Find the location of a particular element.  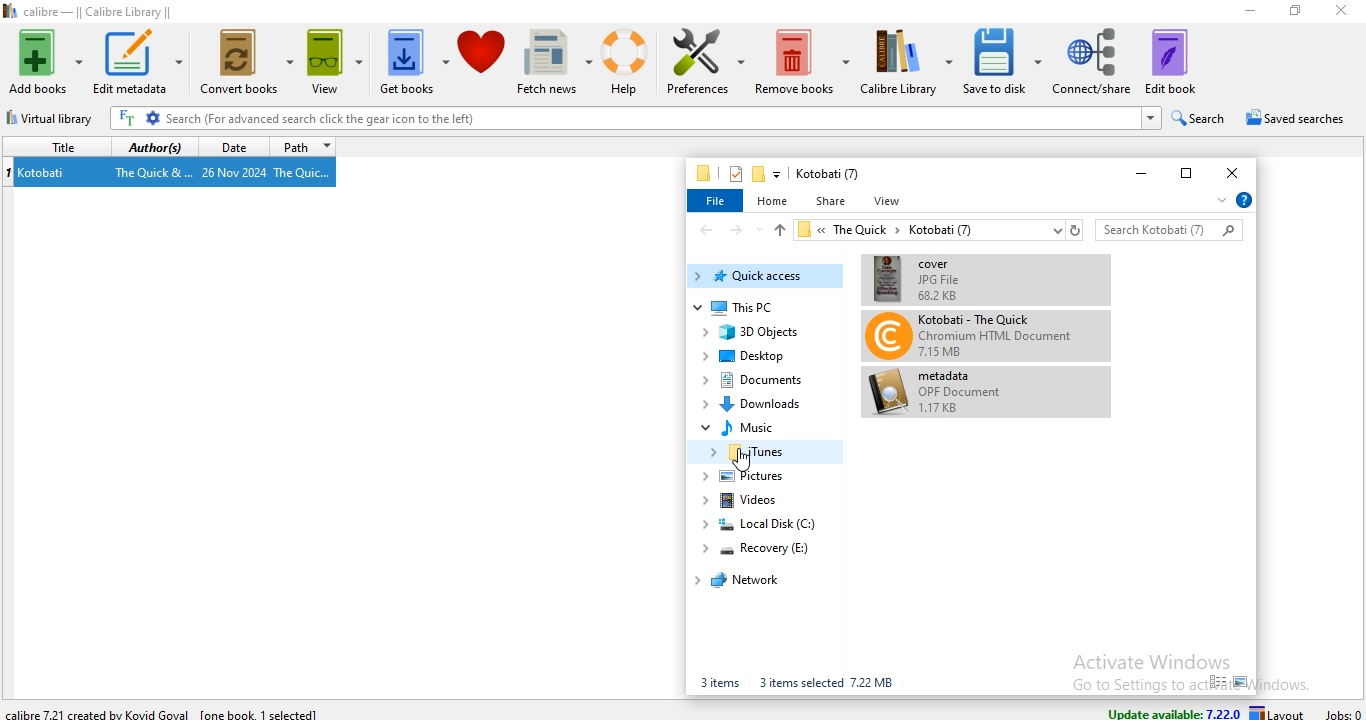

documents is located at coordinates (759, 381).